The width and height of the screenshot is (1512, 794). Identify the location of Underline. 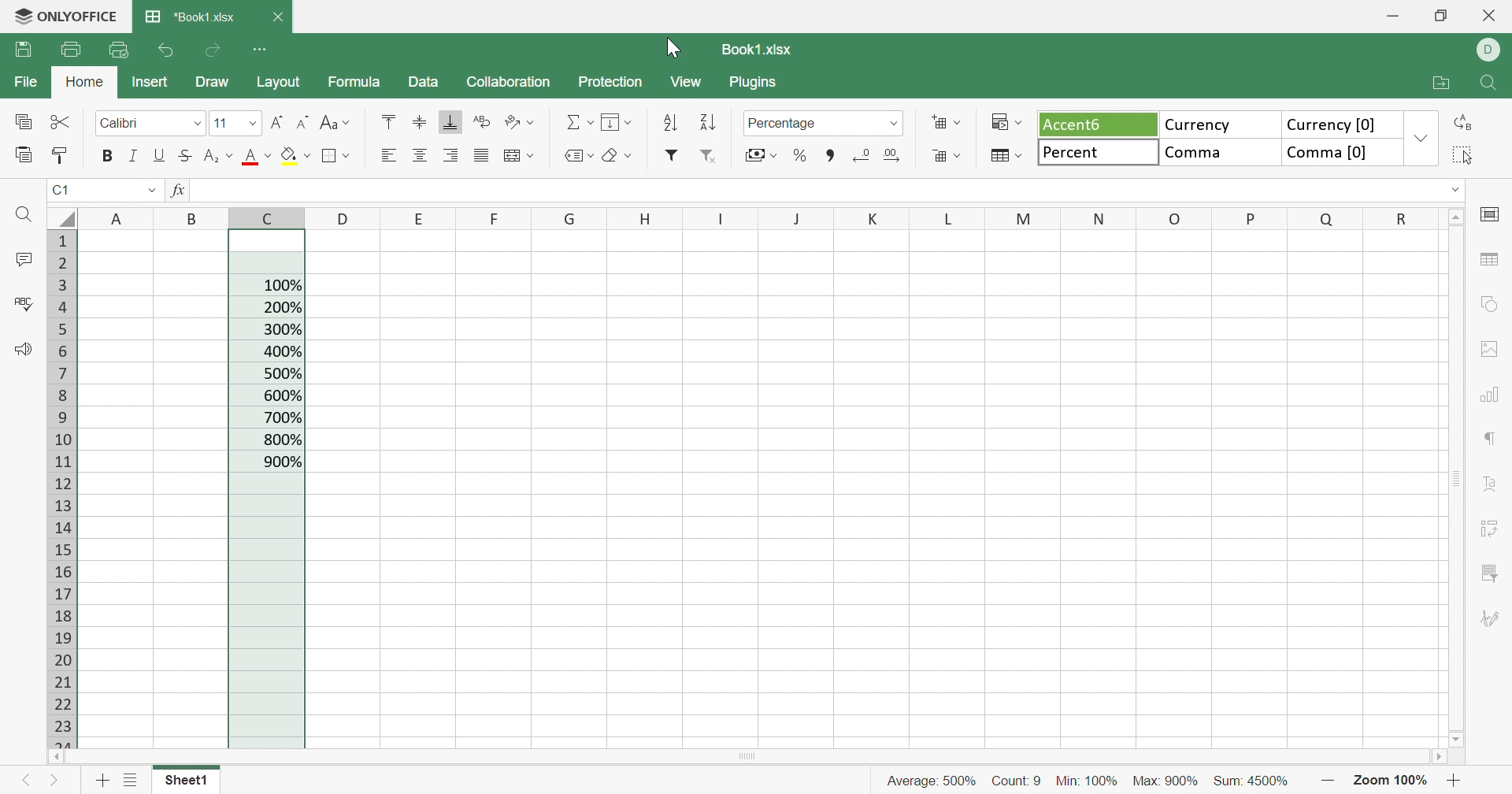
(159, 155).